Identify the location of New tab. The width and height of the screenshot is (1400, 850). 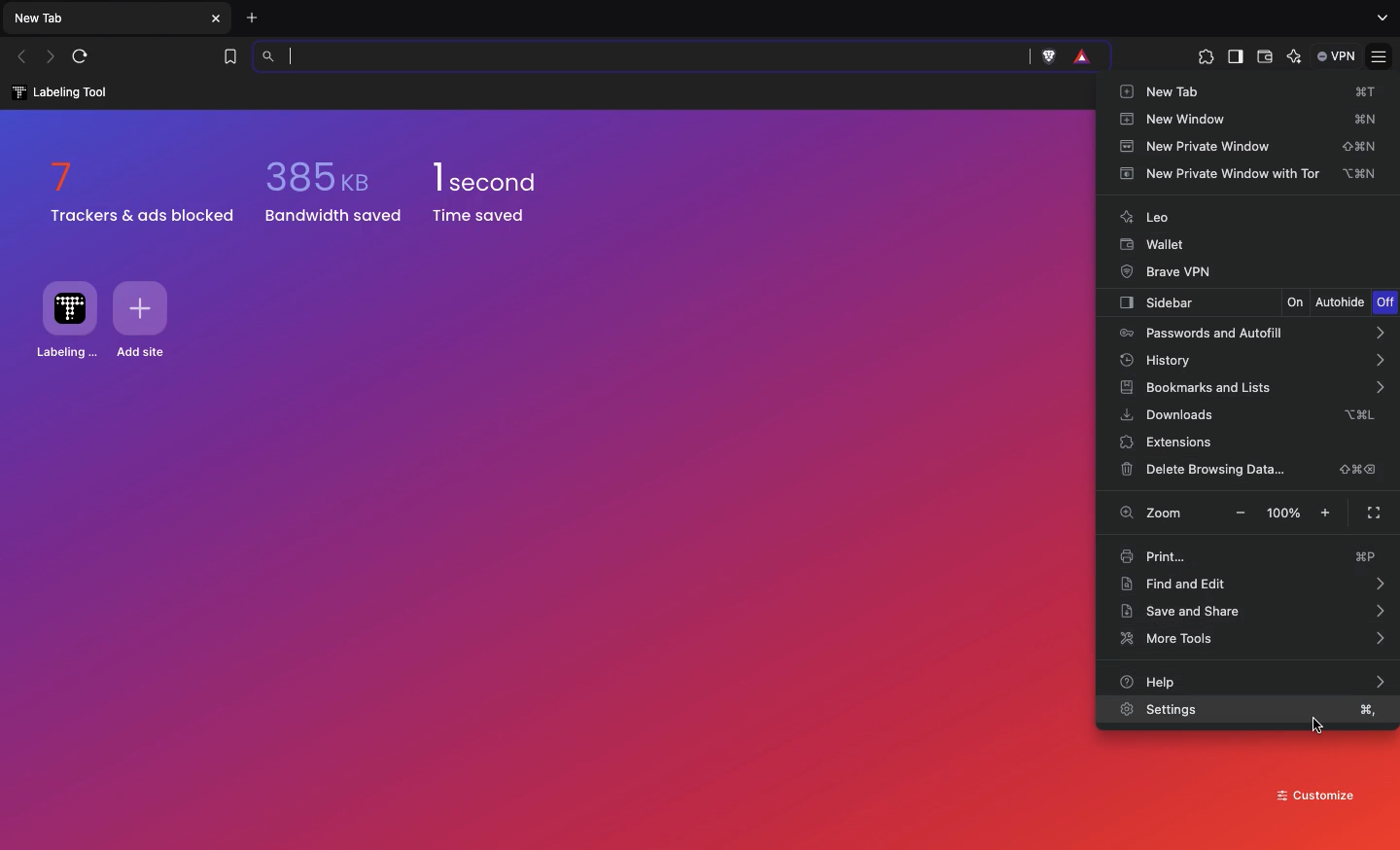
(1249, 95).